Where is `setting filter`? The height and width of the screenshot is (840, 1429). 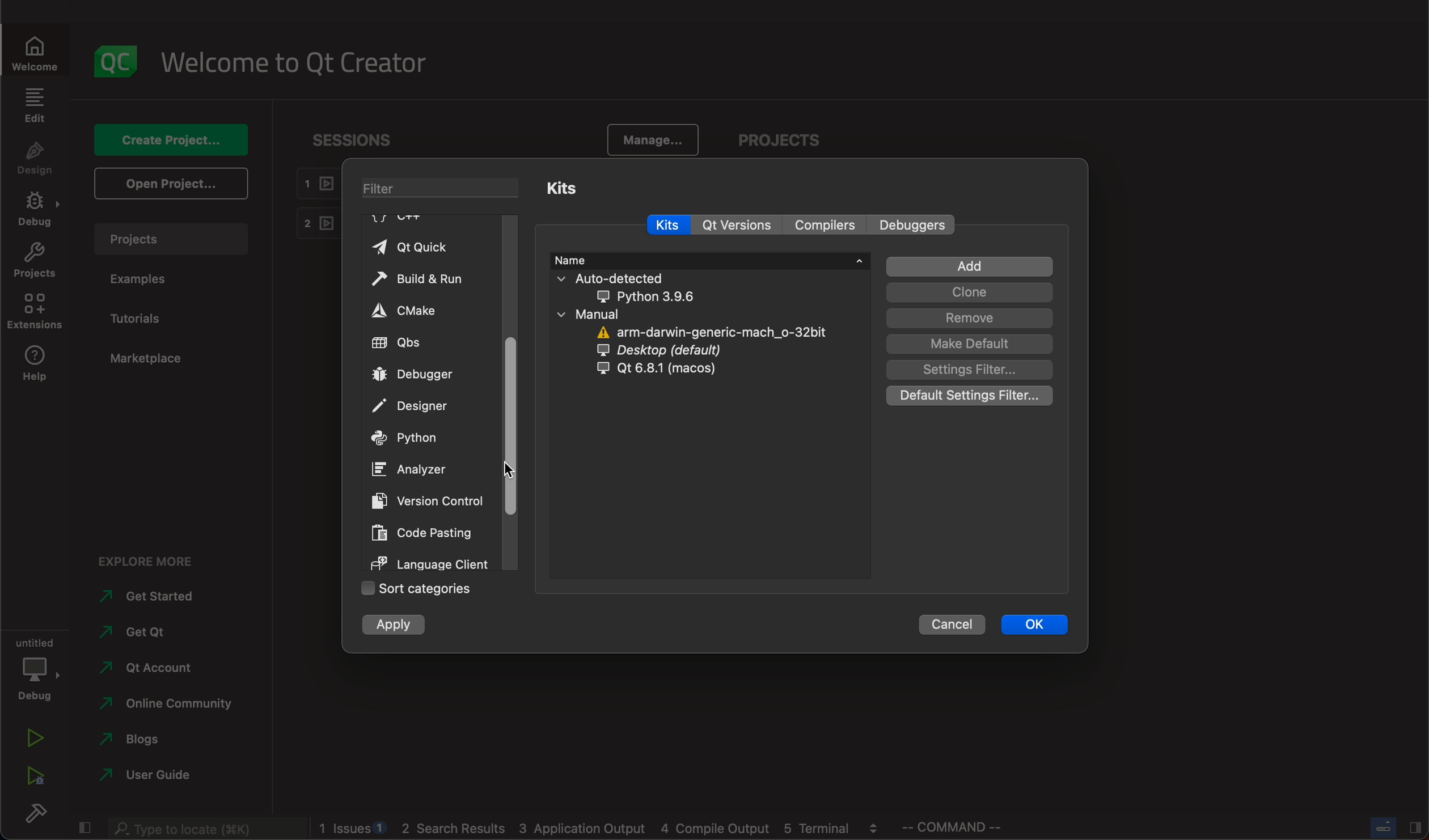
setting filter is located at coordinates (973, 370).